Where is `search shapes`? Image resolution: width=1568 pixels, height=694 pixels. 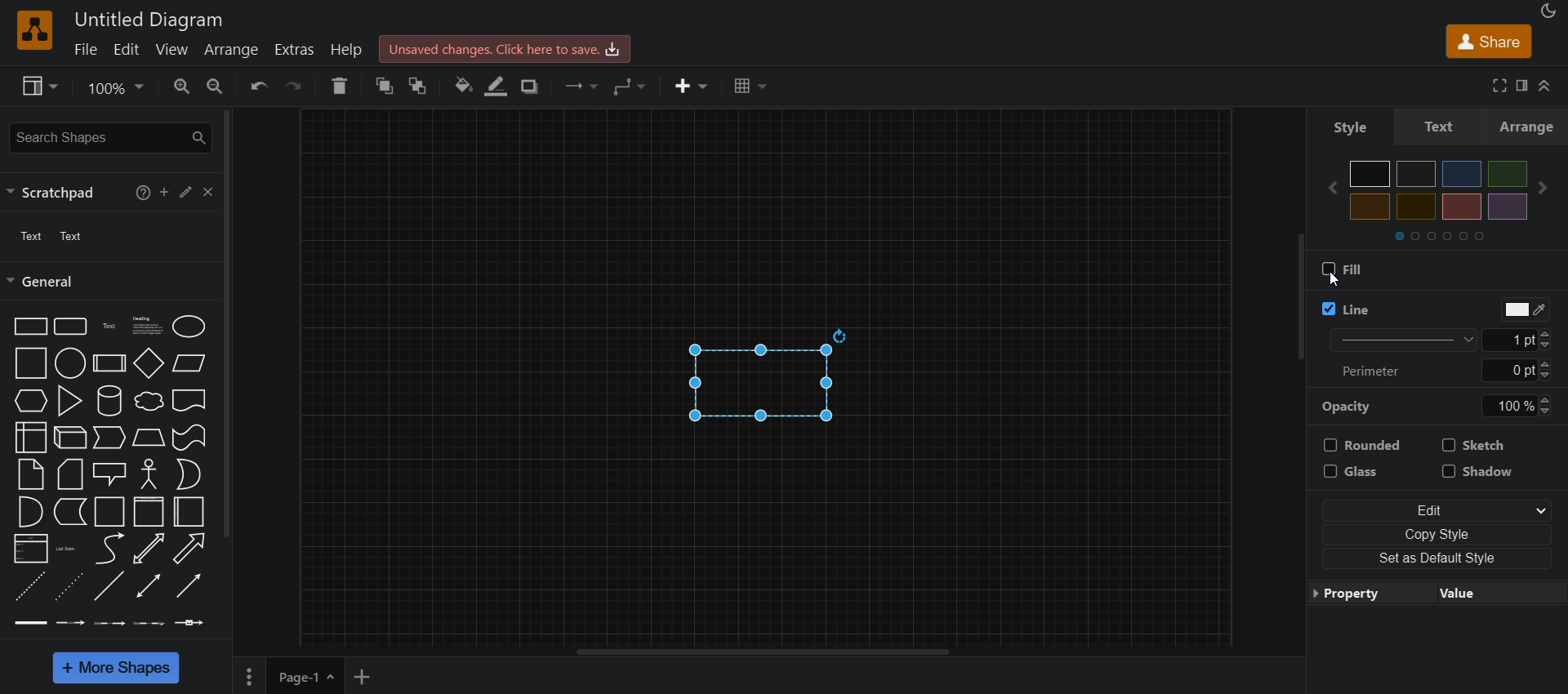 search shapes is located at coordinates (110, 135).